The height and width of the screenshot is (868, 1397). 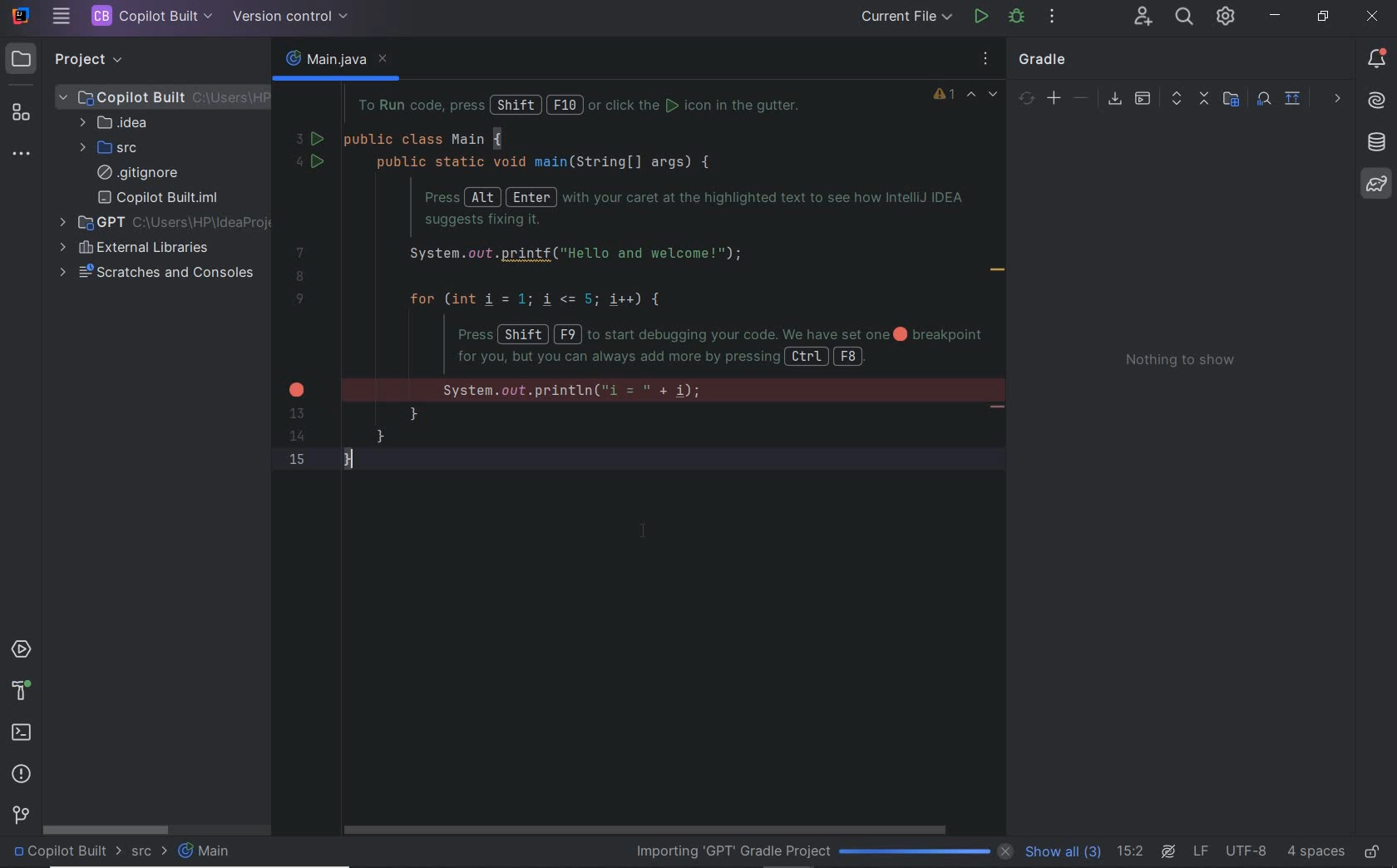 I want to click on close, so click(x=1371, y=16).